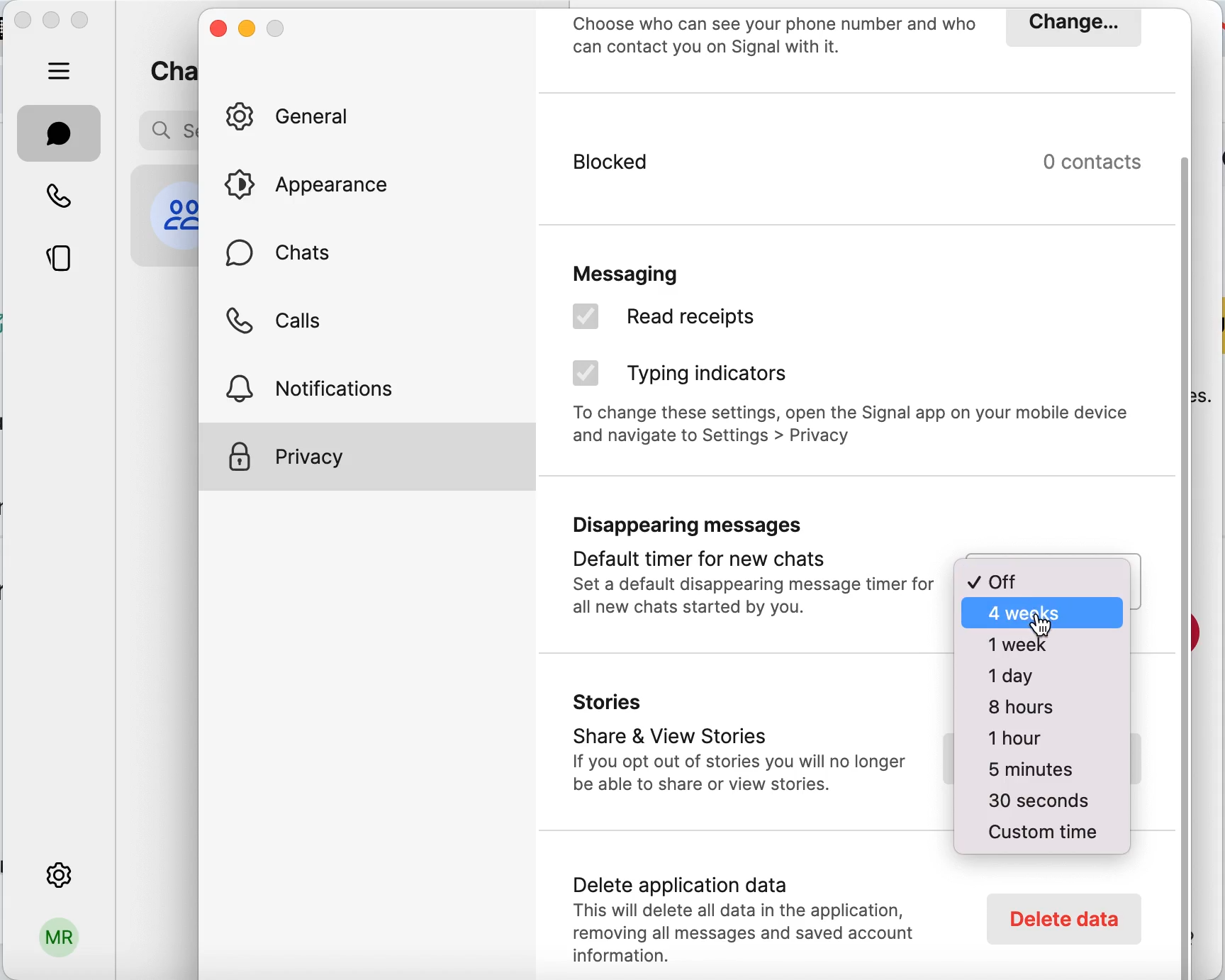  What do you see at coordinates (775, 38) in the screenshot?
I see `choose who can see your phone number` at bounding box center [775, 38].